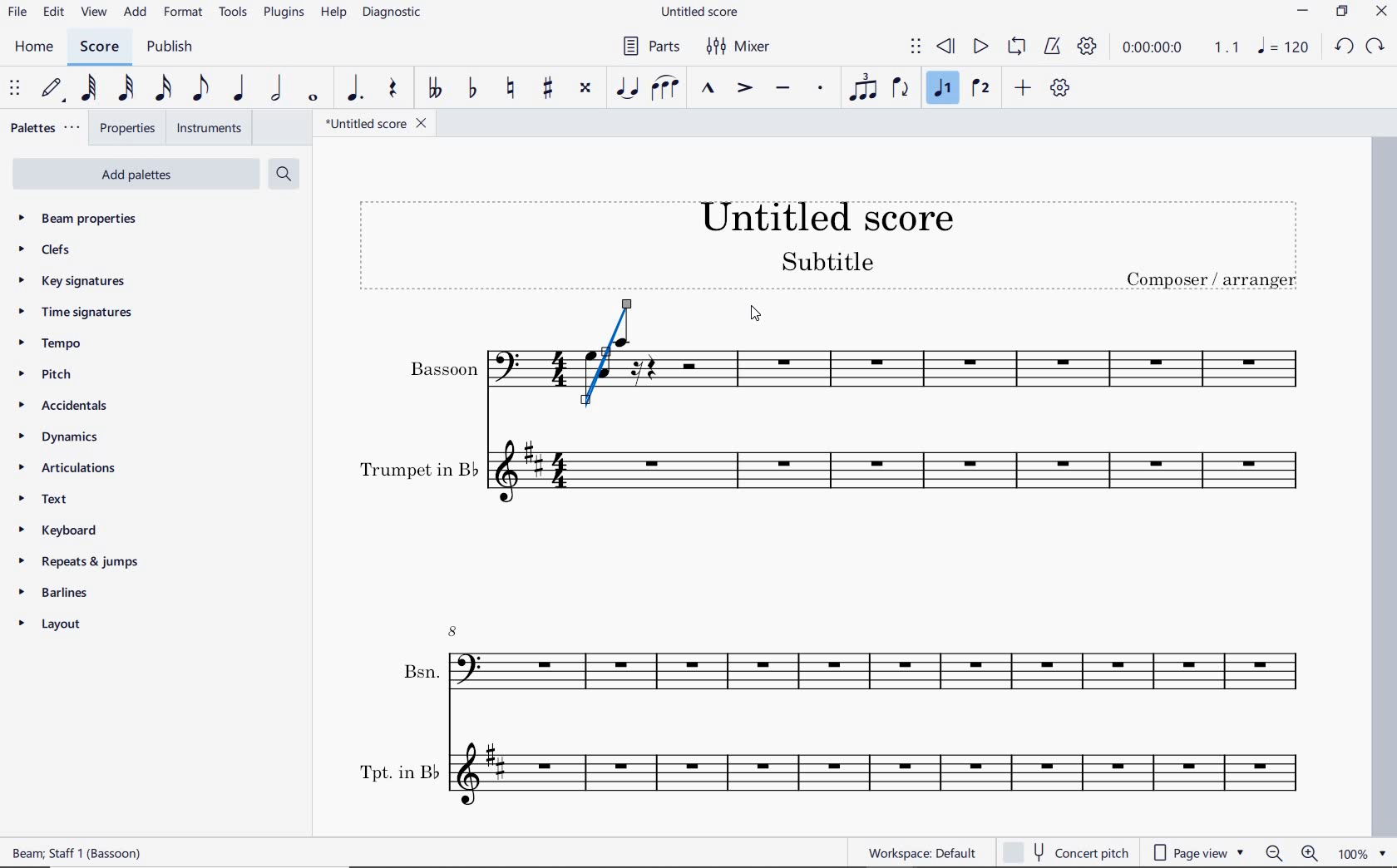 This screenshot has width=1397, height=868. What do you see at coordinates (233, 12) in the screenshot?
I see `tools` at bounding box center [233, 12].